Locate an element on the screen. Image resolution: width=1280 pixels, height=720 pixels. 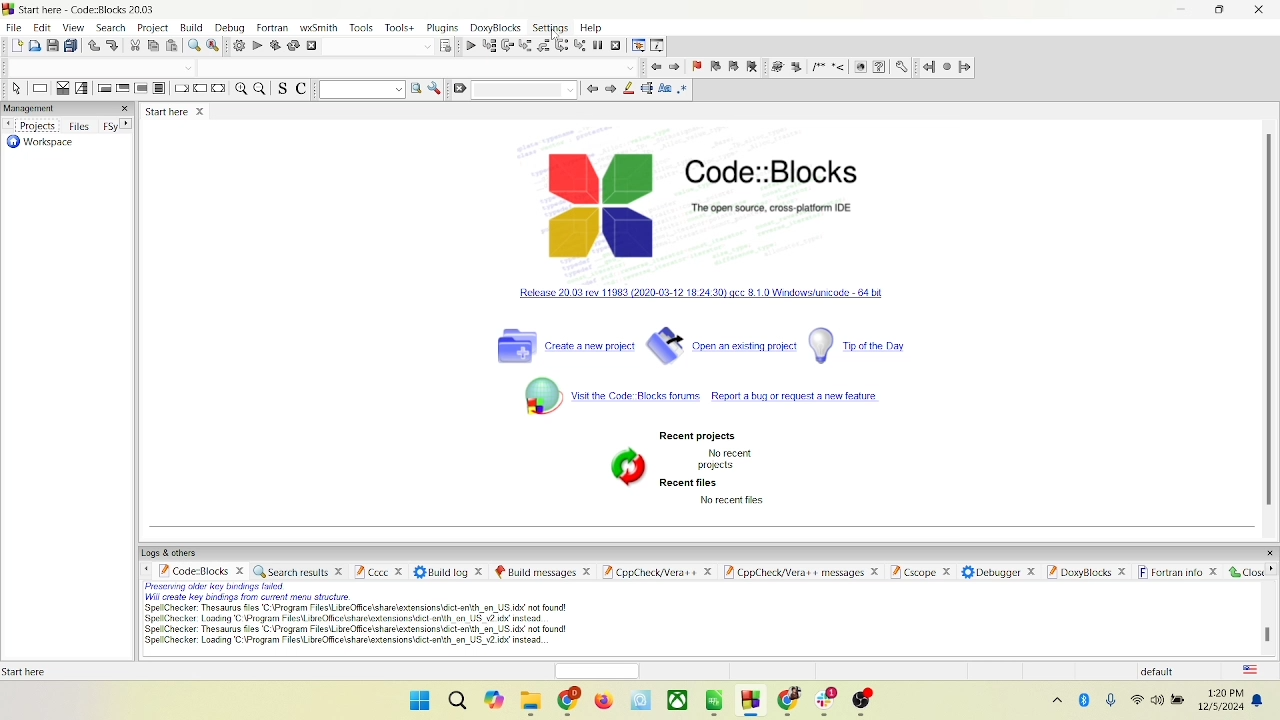
redo is located at coordinates (113, 45).